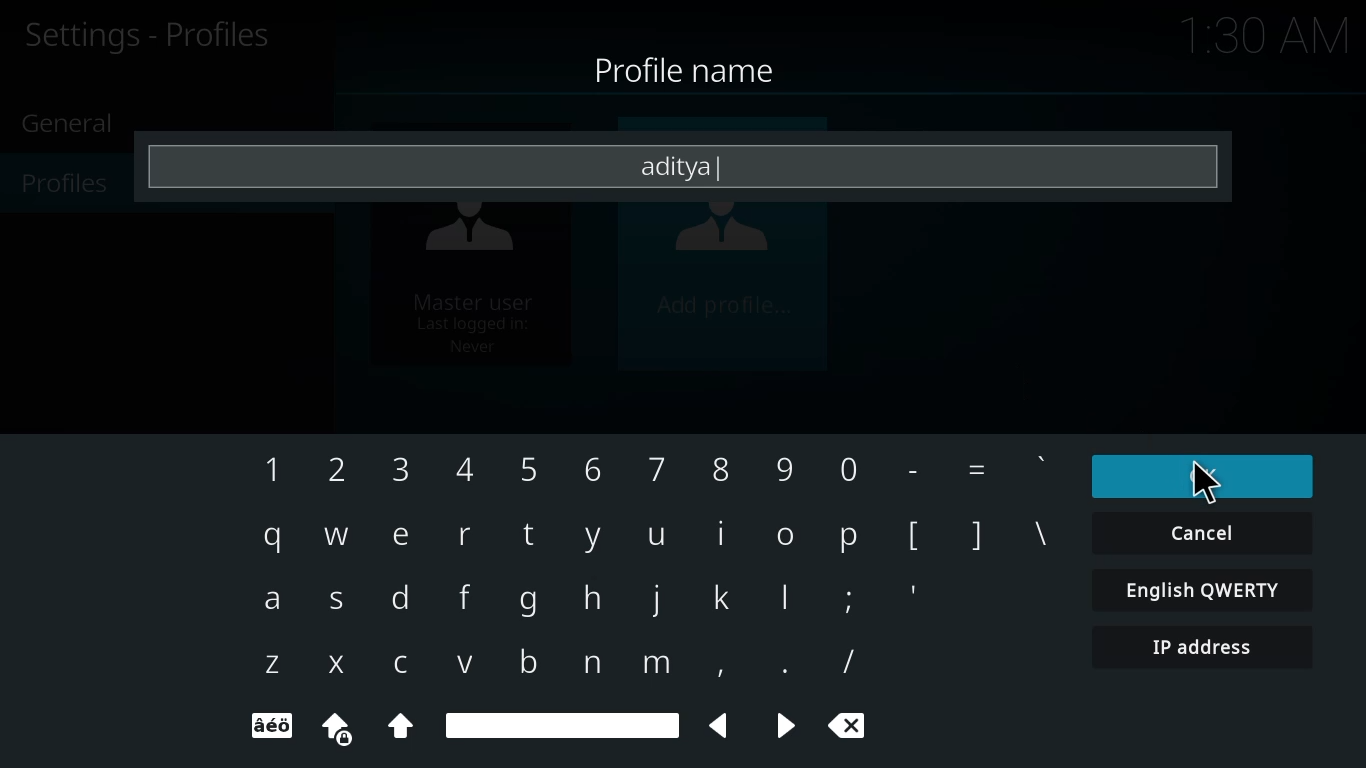 This screenshot has height=768, width=1366. Describe the element at coordinates (917, 538) in the screenshot. I see `[` at that location.